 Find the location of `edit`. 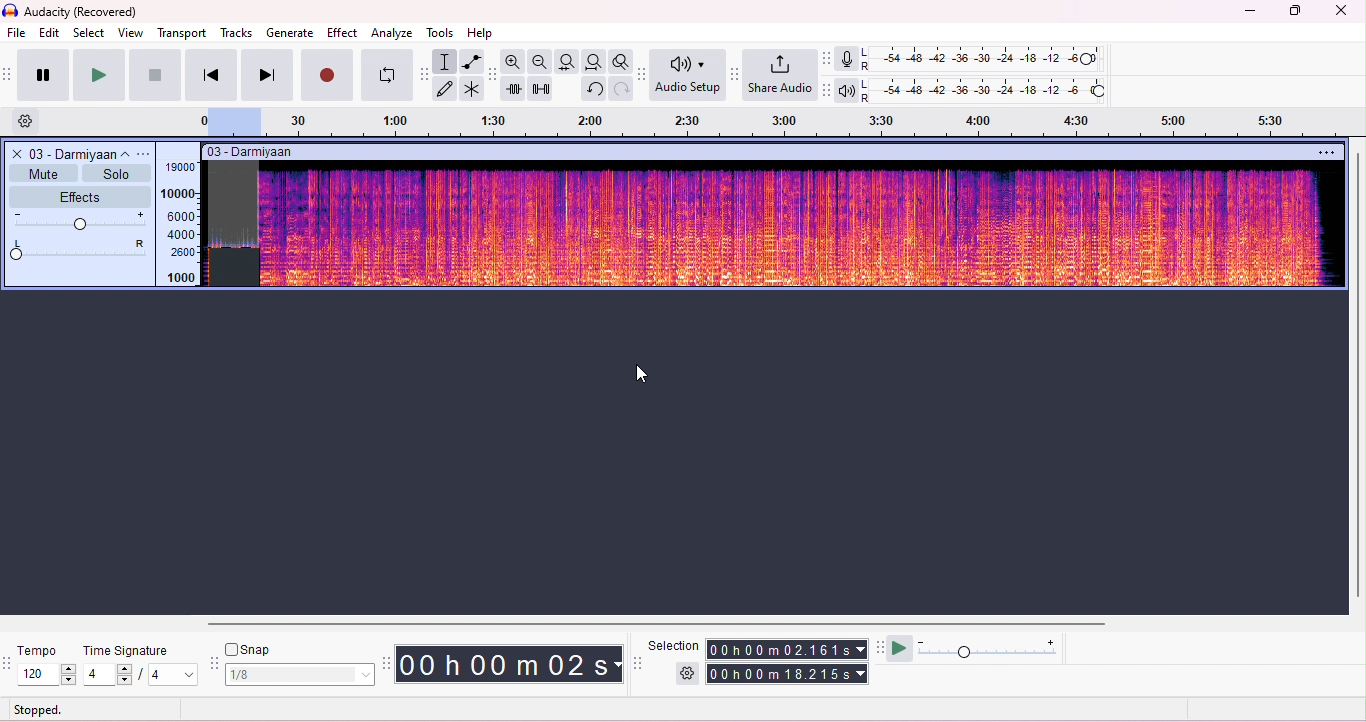

edit is located at coordinates (50, 34).